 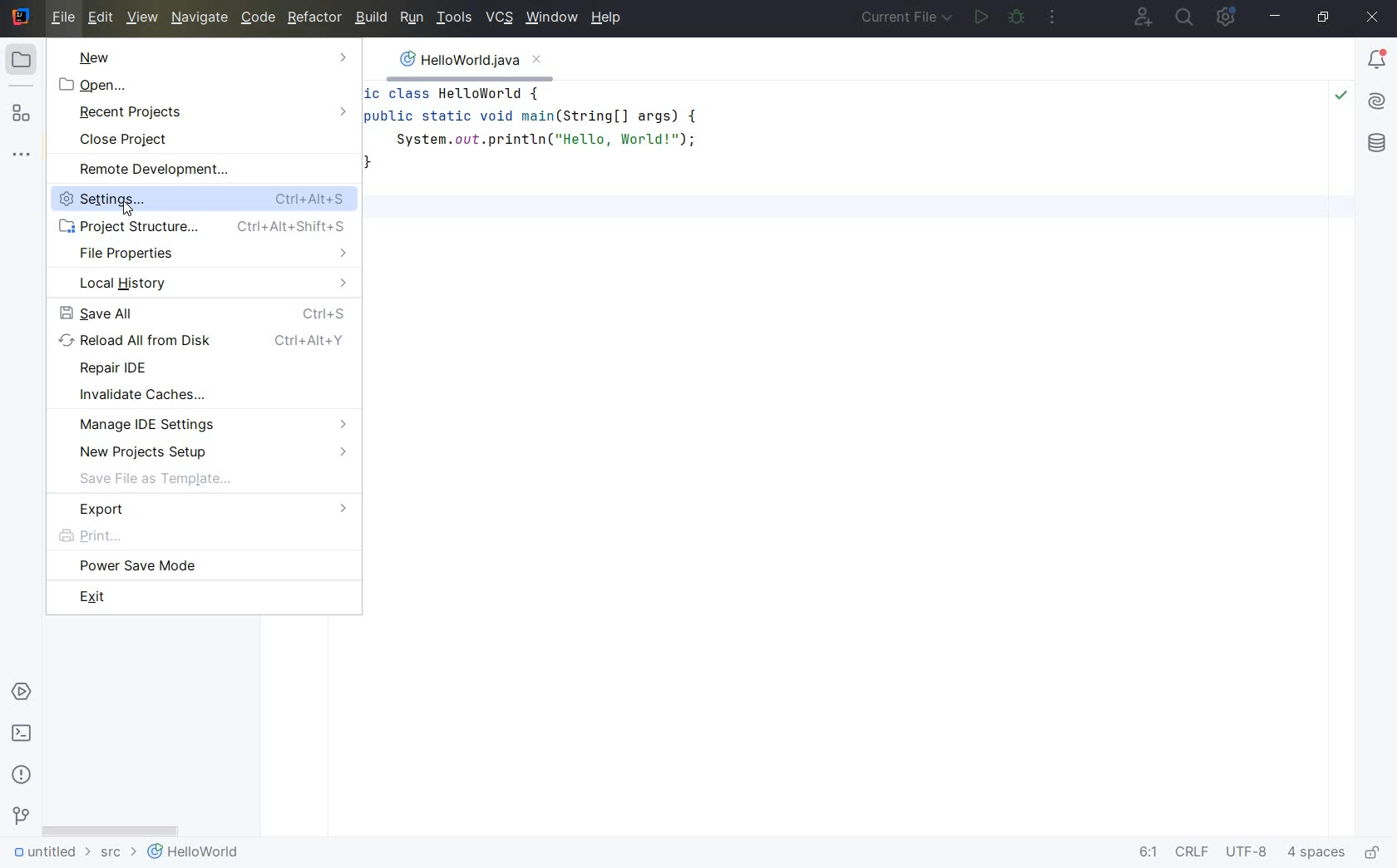 I want to click on code with me, so click(x=1141, y=17).